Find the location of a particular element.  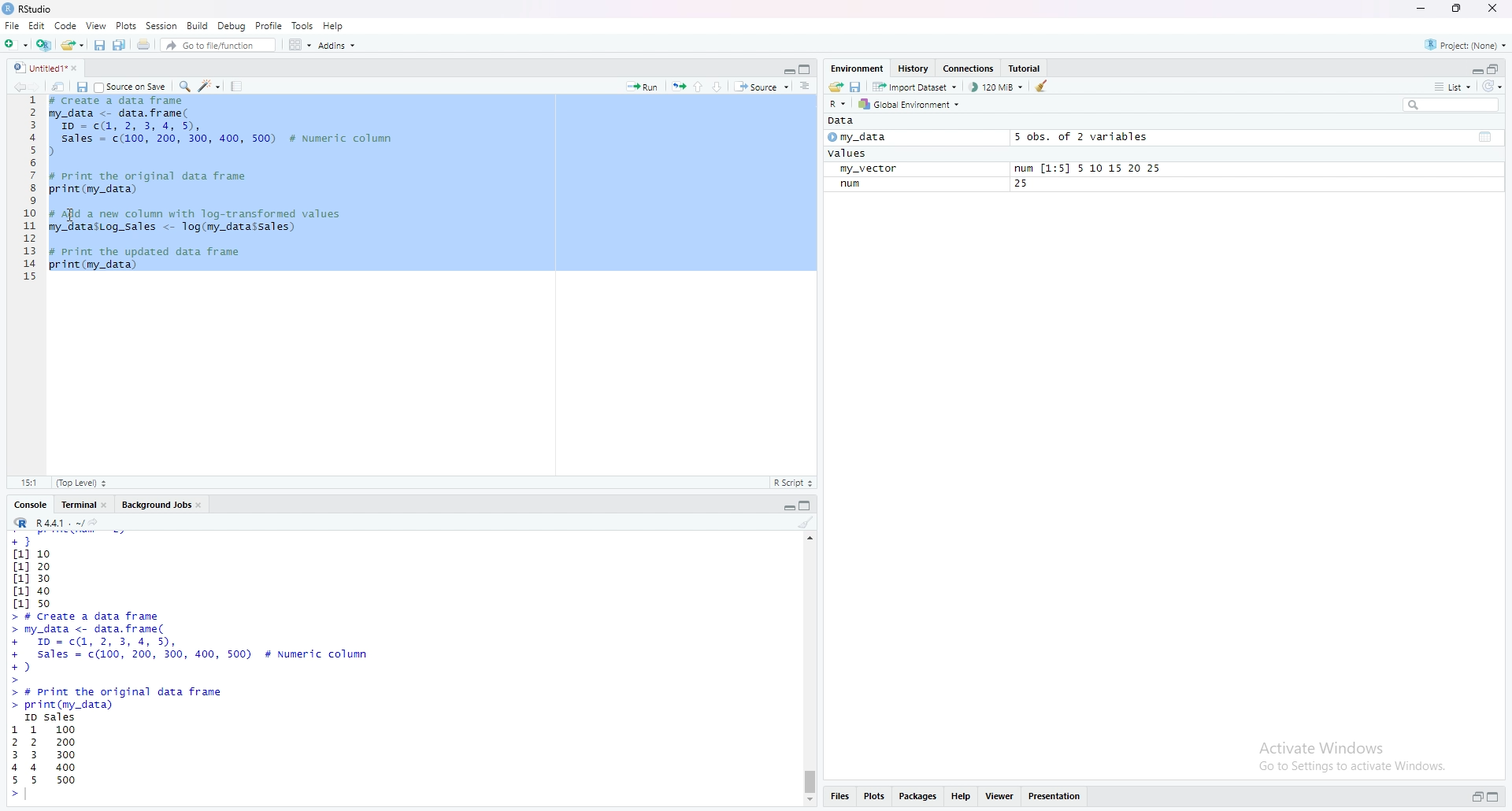

25 is located at coordinates (1025, 185).